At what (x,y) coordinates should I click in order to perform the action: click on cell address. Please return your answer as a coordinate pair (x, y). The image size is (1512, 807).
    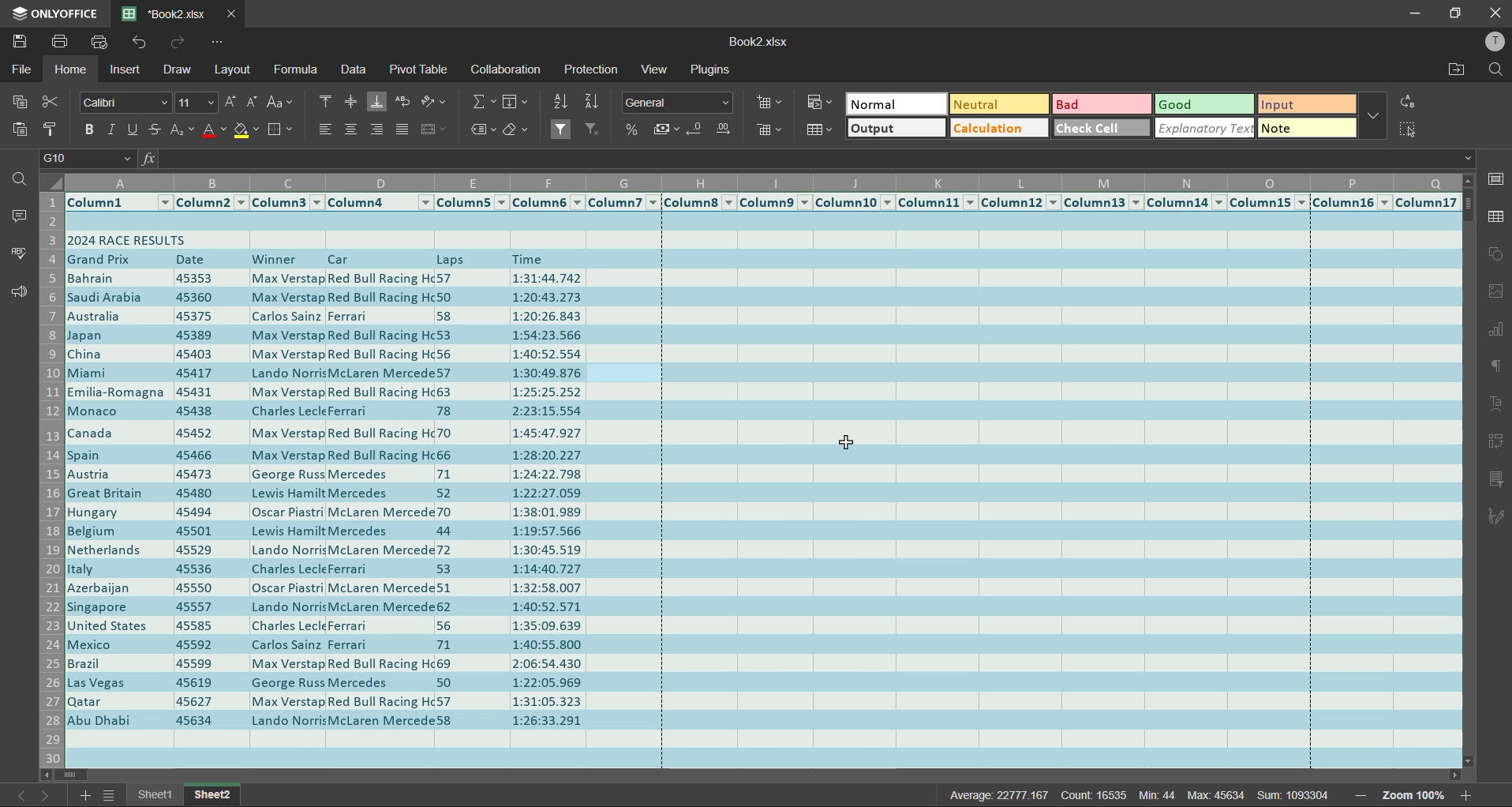
    Looking at the image, I should click on (87, 160).